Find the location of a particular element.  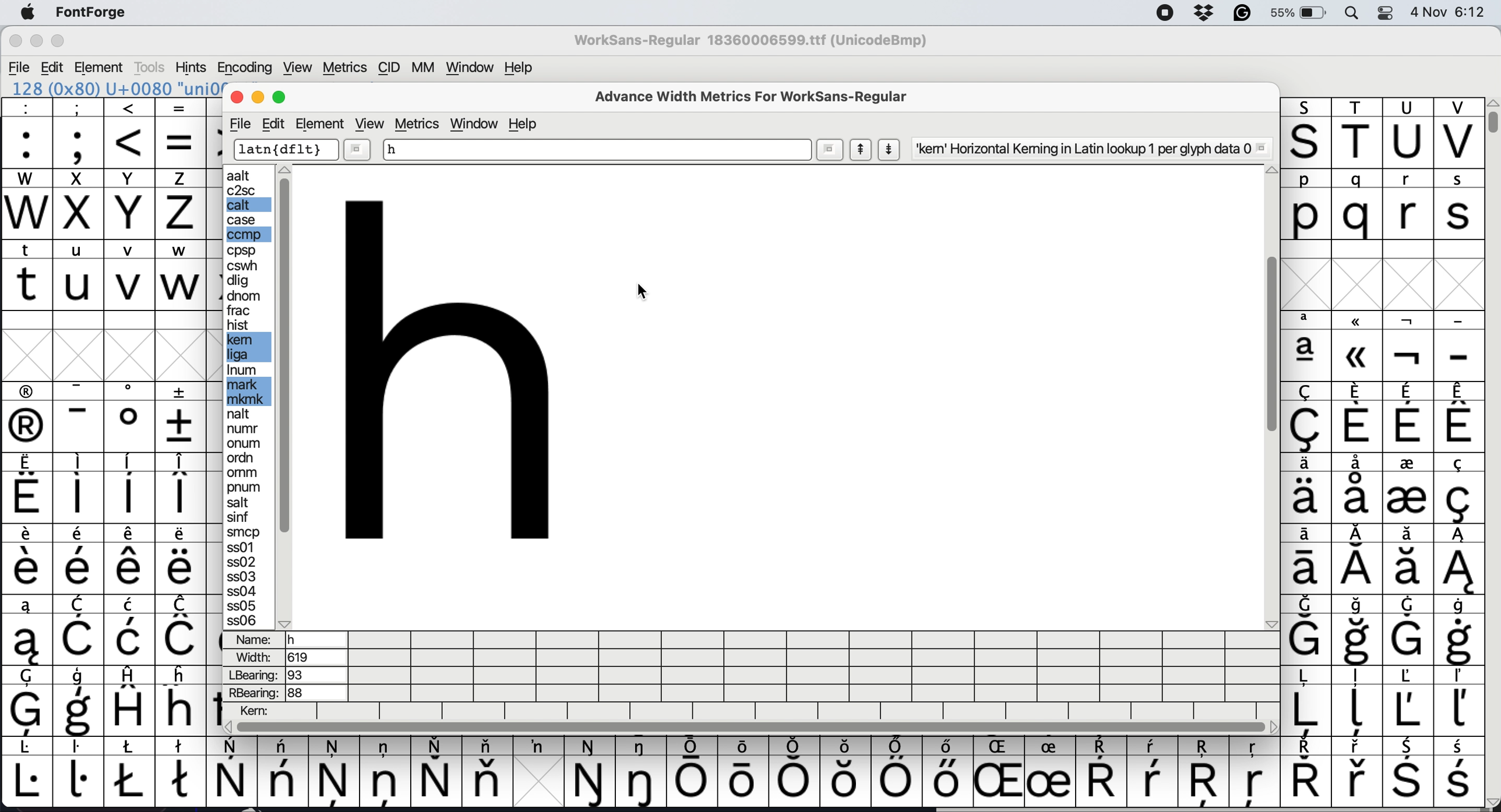

Help is located at coordinates (517, 68).